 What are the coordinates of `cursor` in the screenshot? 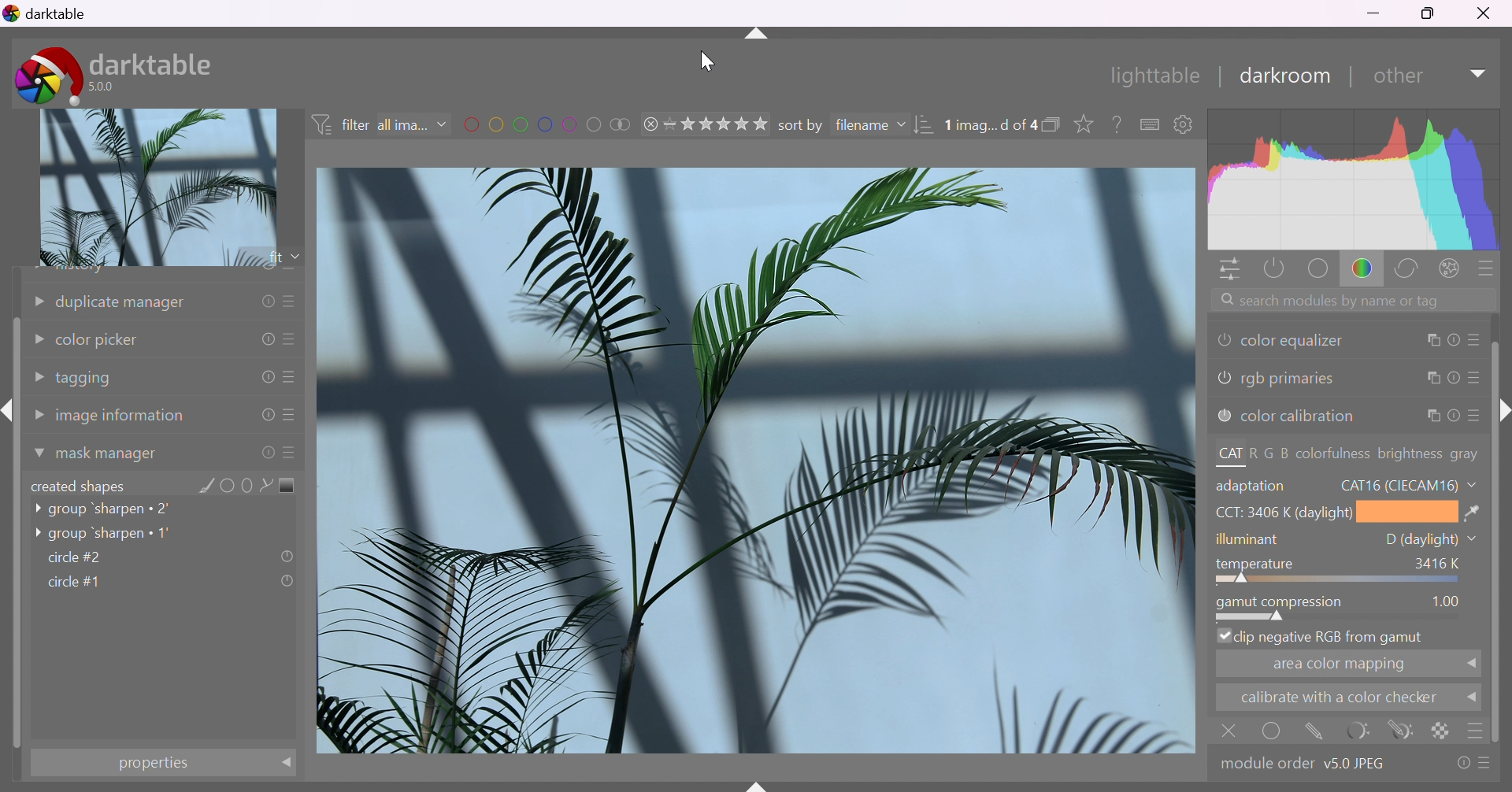 It's located at (702, 61).